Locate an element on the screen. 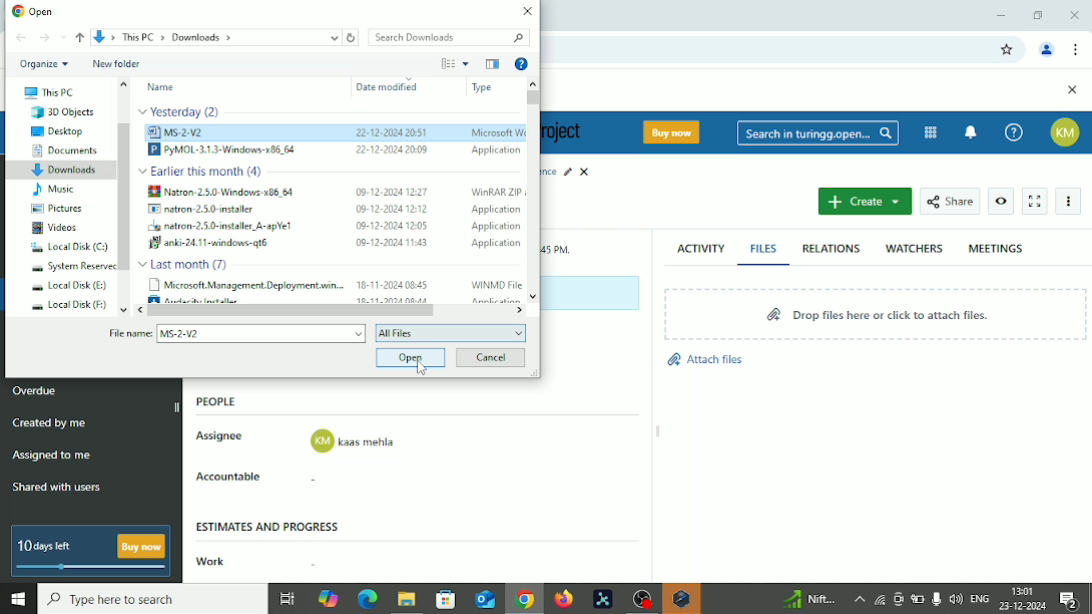 The width and height of the screenshot is (1092, 614). Local Disk (F:) is located at coordinates (64, 307).